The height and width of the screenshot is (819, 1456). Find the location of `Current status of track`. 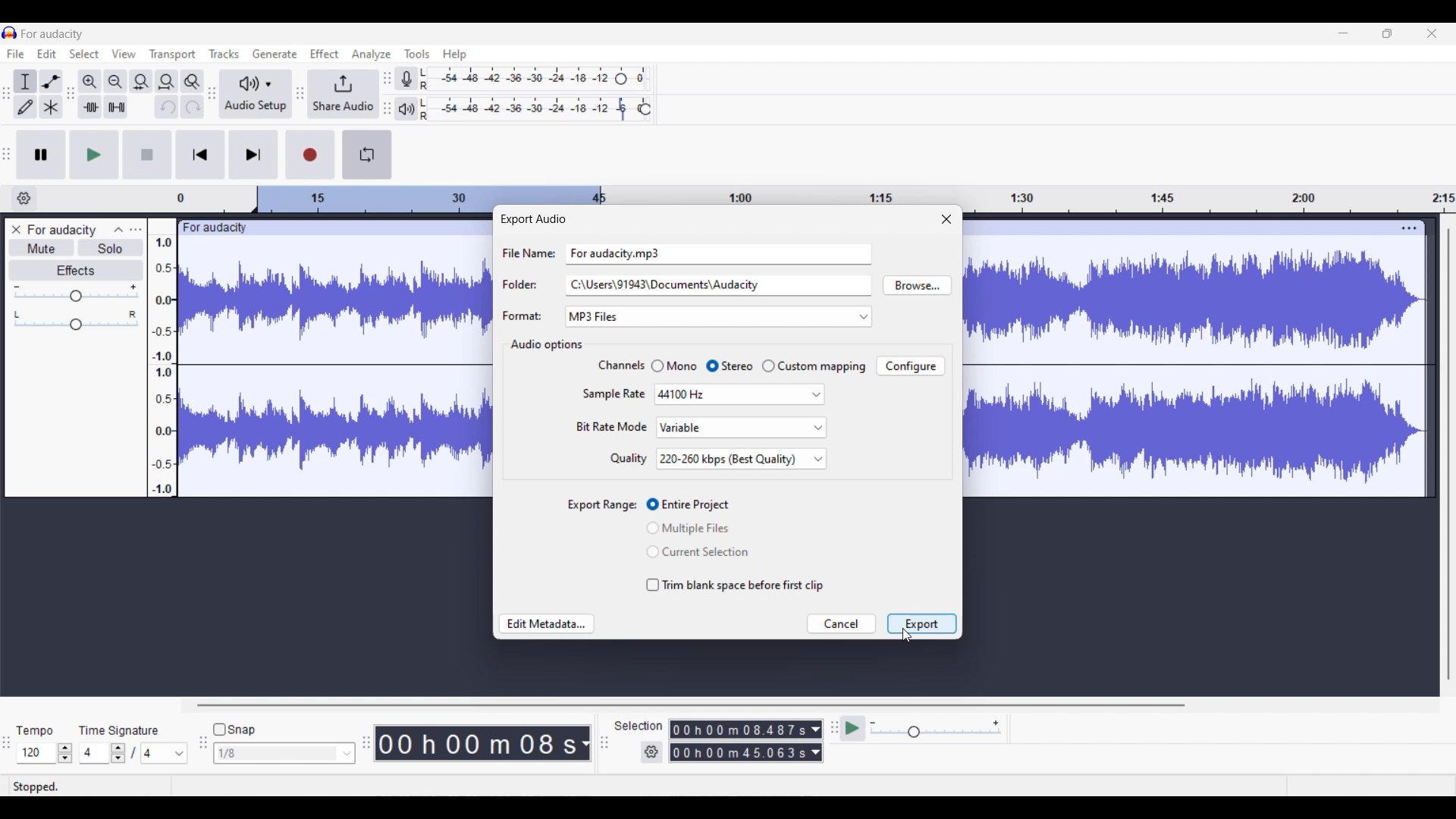

Current status of track is located at coordinates (36, 786).